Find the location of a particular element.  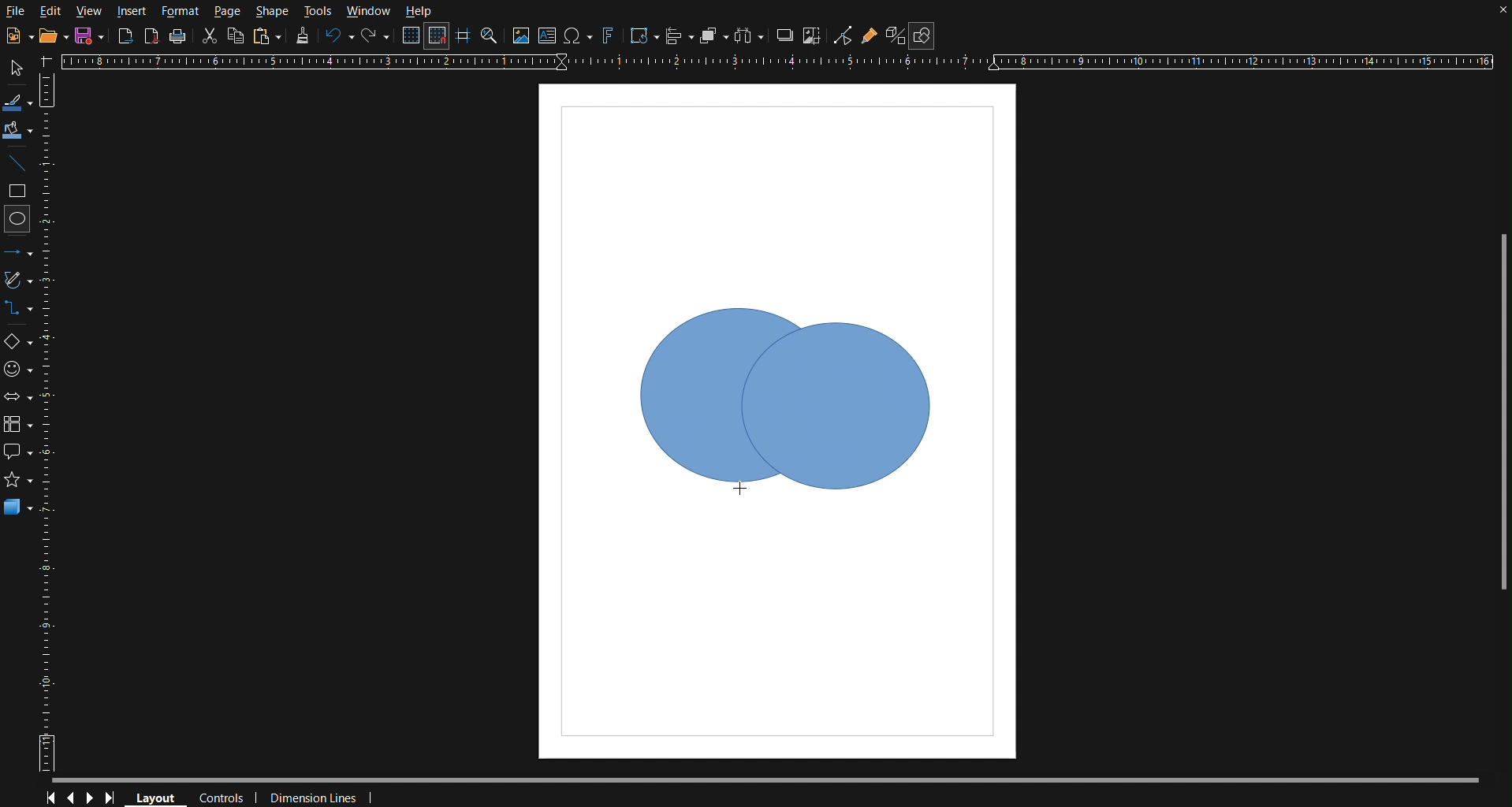

Line is located at coordinates (20, 164).